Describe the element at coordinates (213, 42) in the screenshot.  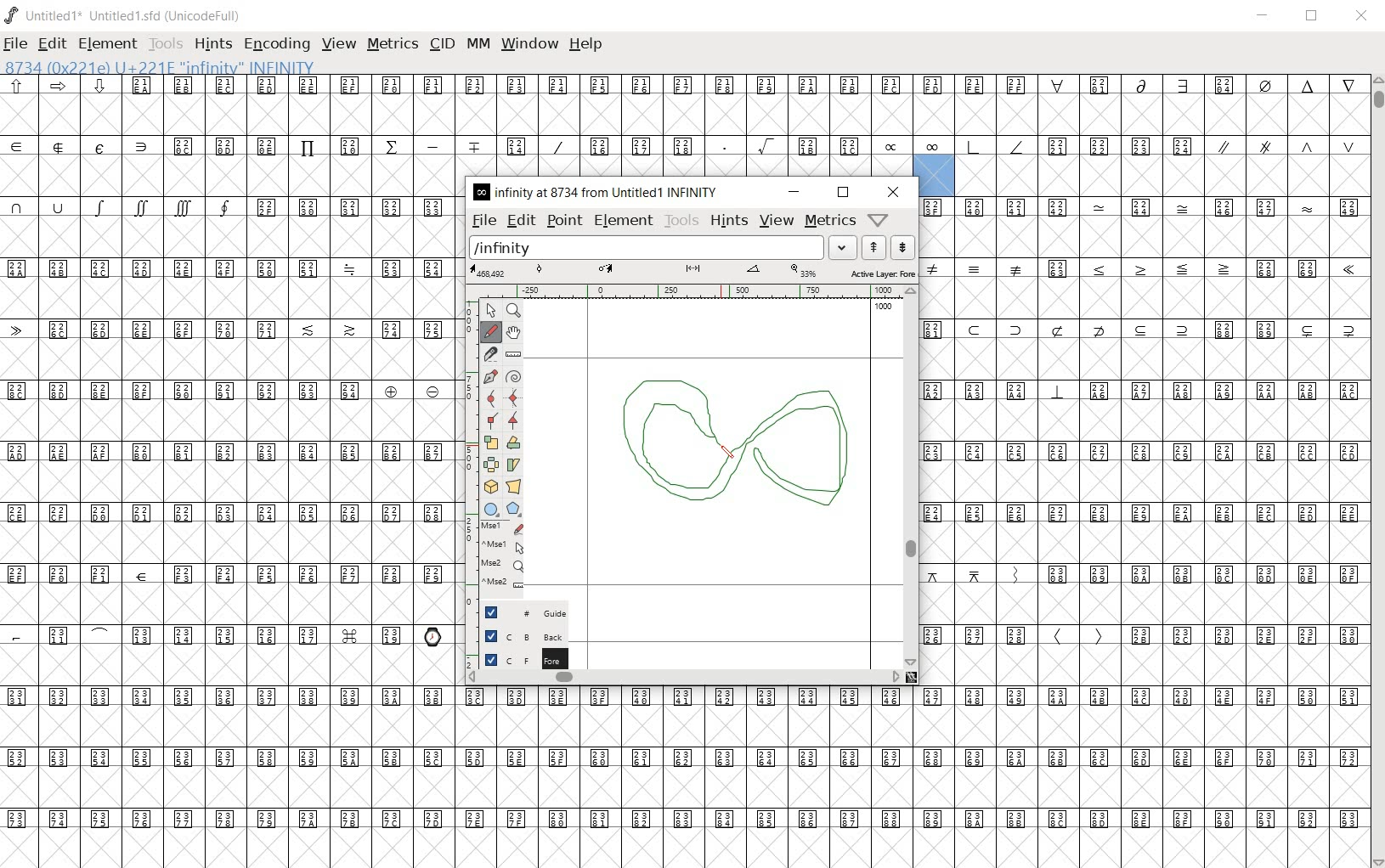
I see `hints` at that location.